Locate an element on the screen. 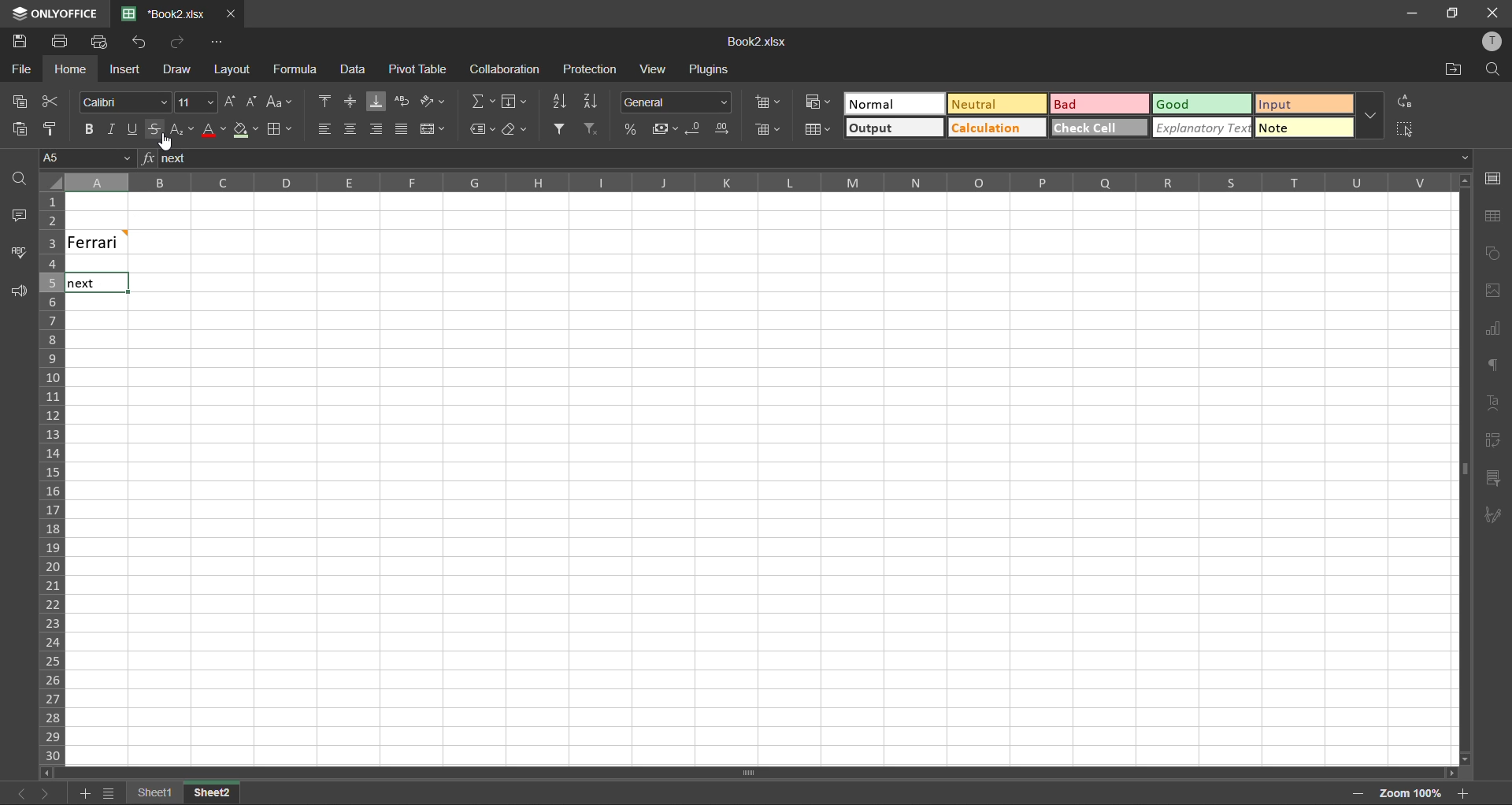 This screenshot has width=1512, height=805. neutral is located at coordinates (996, 106).